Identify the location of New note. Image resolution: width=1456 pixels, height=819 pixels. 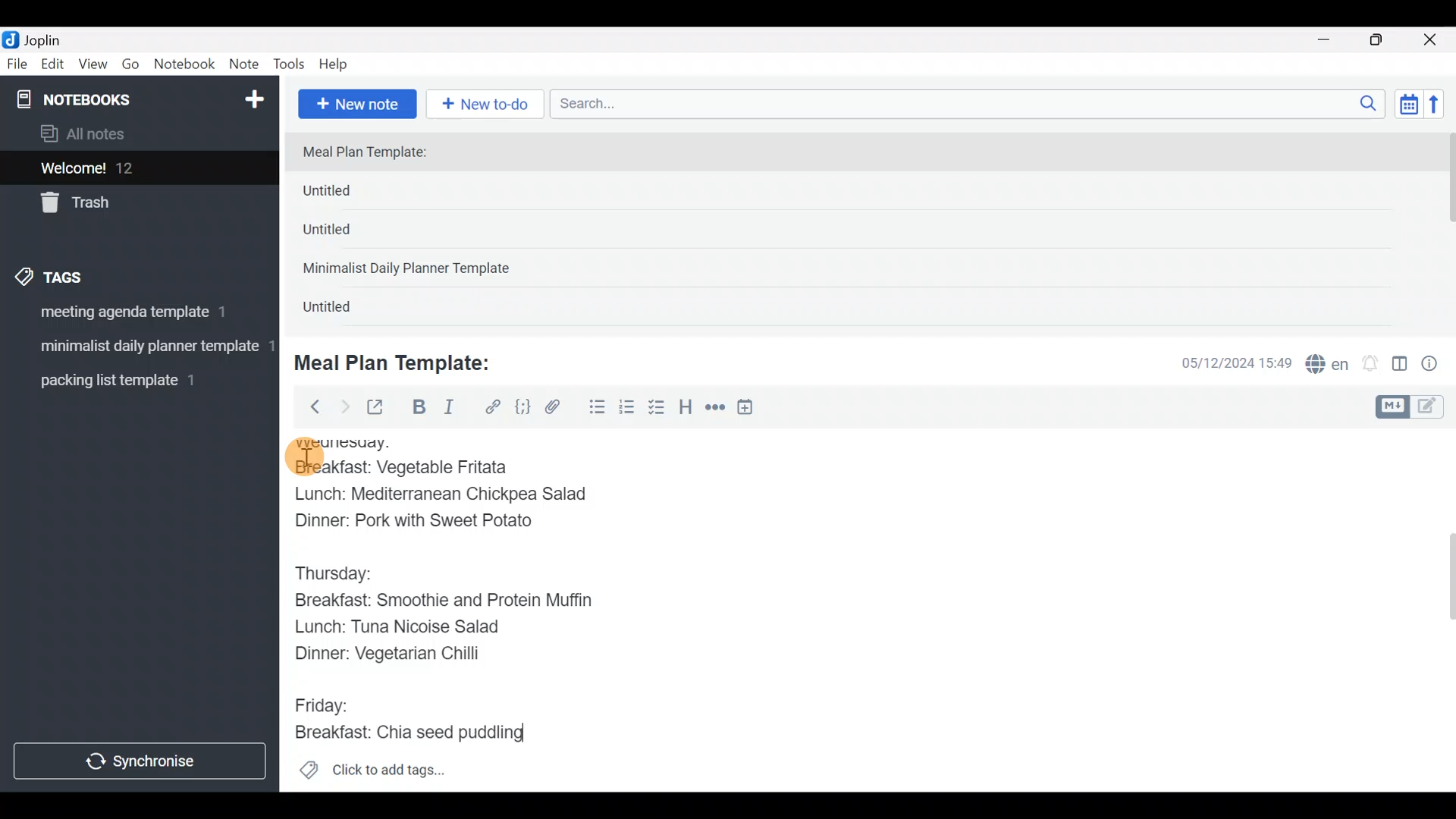
(356, 102).